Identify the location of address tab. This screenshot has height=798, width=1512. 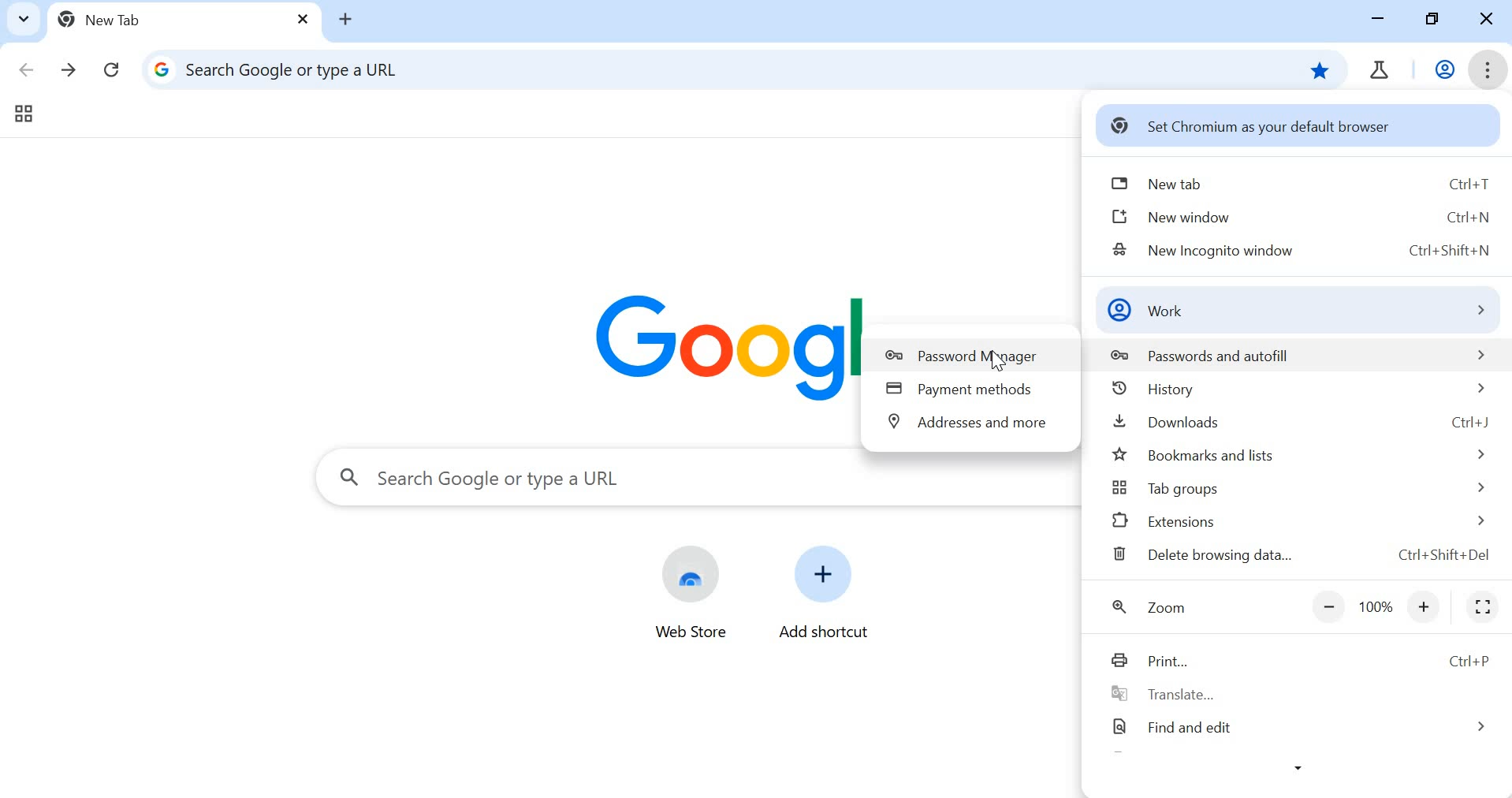
(697, 69).